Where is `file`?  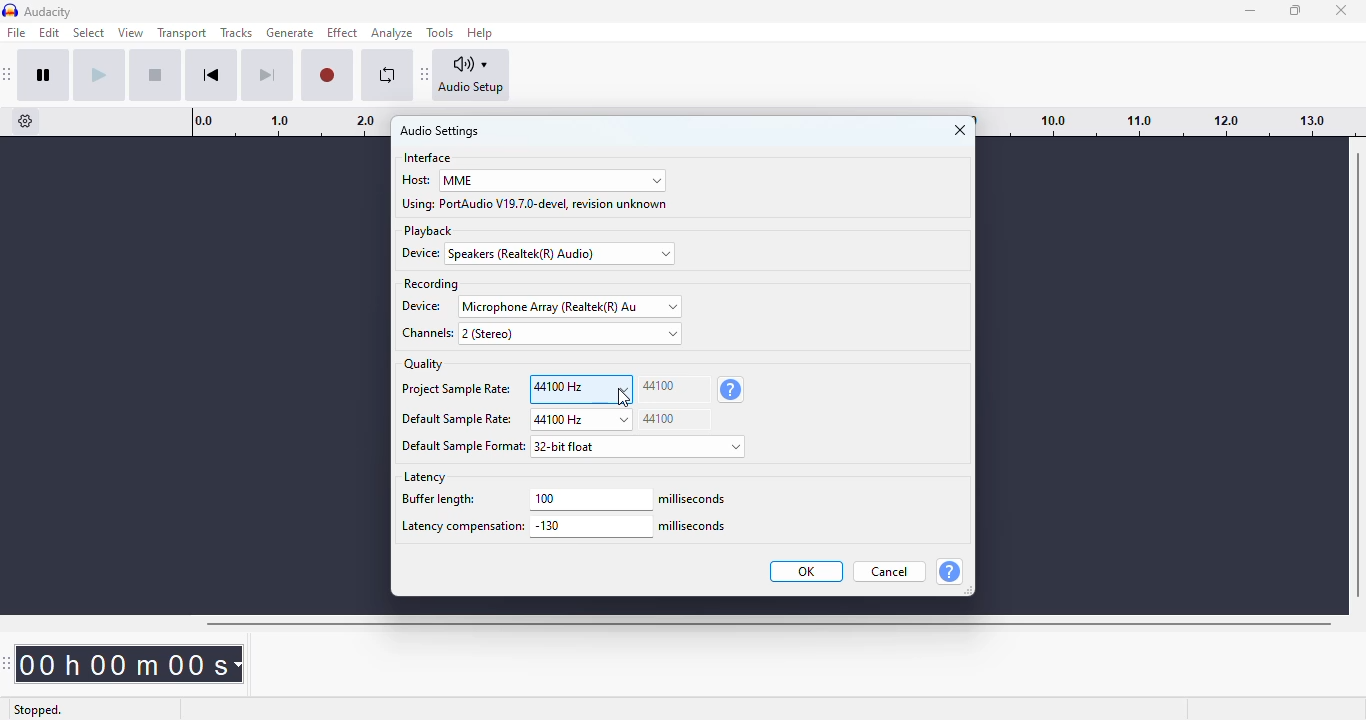 file is located at coordinates (17, 32).